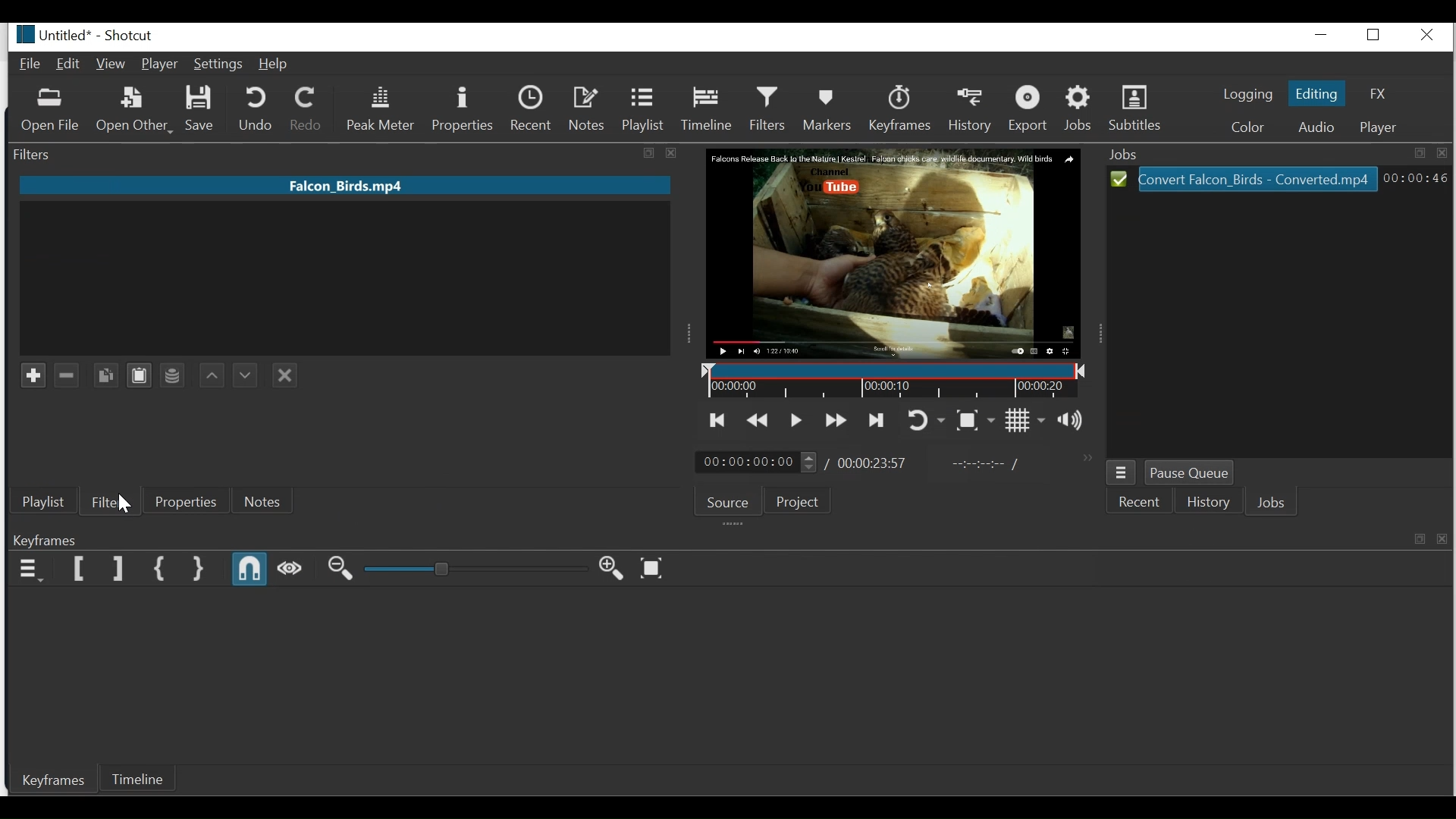  Describe the element at coordinates (984, 463) in the screenshot. I see `In point` at that location.